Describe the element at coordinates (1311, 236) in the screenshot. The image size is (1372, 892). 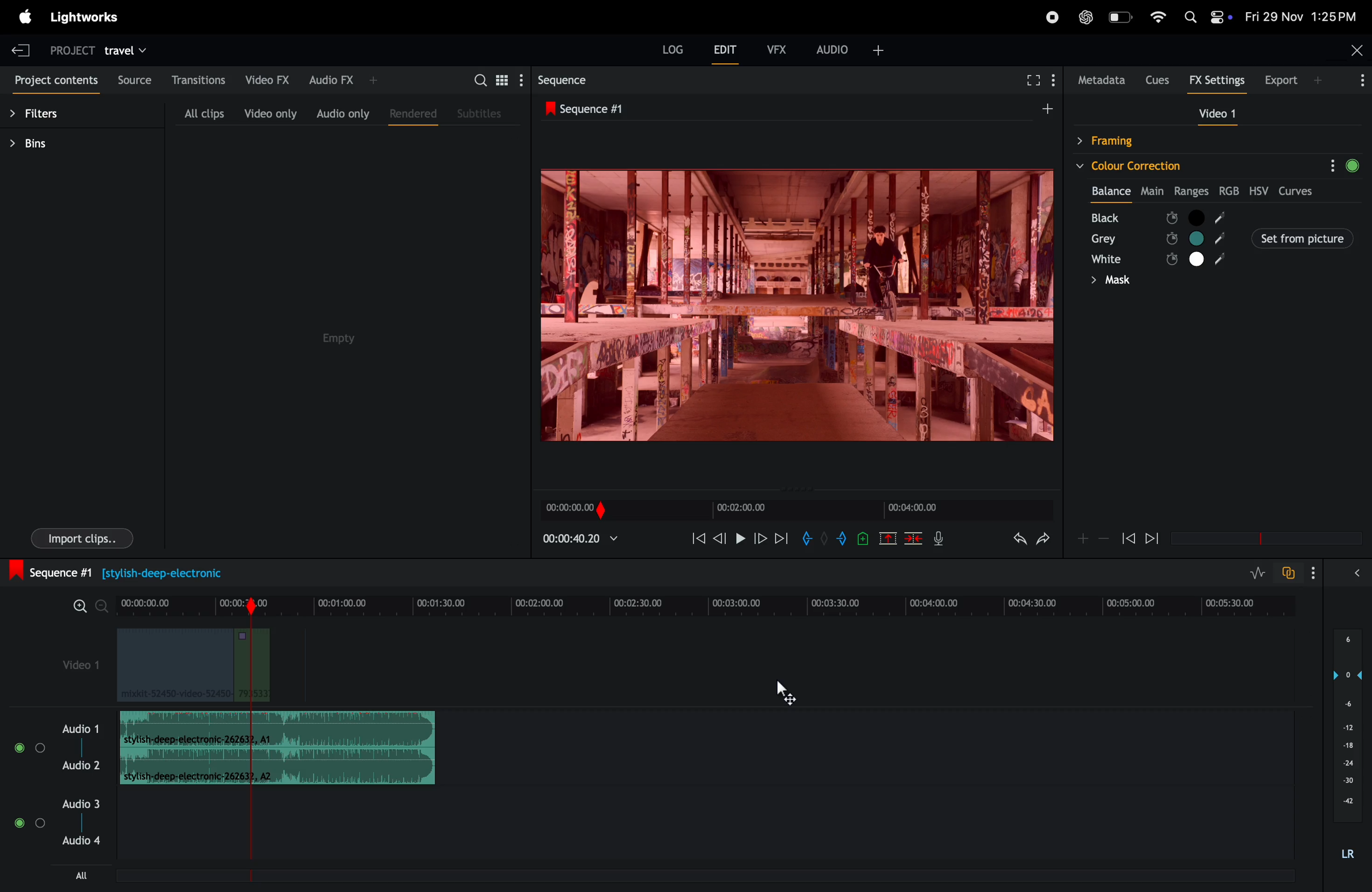
I see `Set from picture` at that location.